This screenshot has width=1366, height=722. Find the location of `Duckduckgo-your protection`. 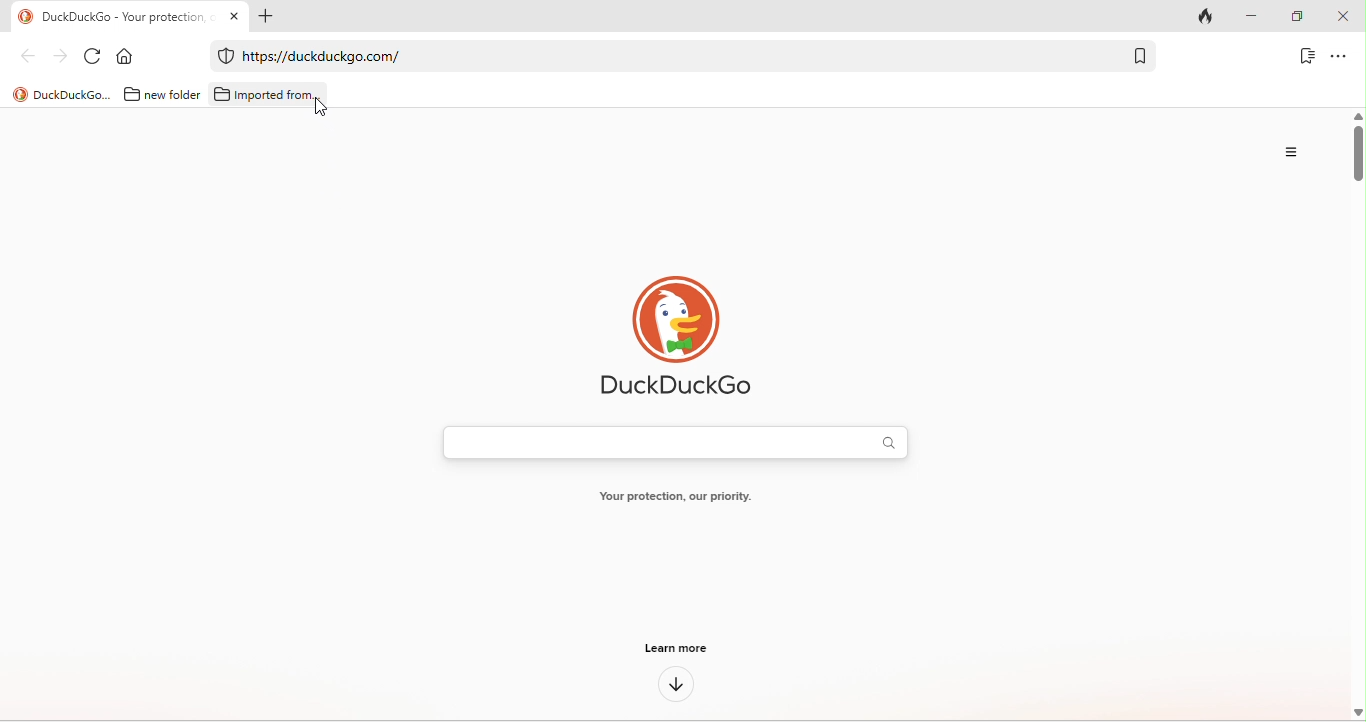

Duckduckgo-your protection is located at coordinates (122, 15).